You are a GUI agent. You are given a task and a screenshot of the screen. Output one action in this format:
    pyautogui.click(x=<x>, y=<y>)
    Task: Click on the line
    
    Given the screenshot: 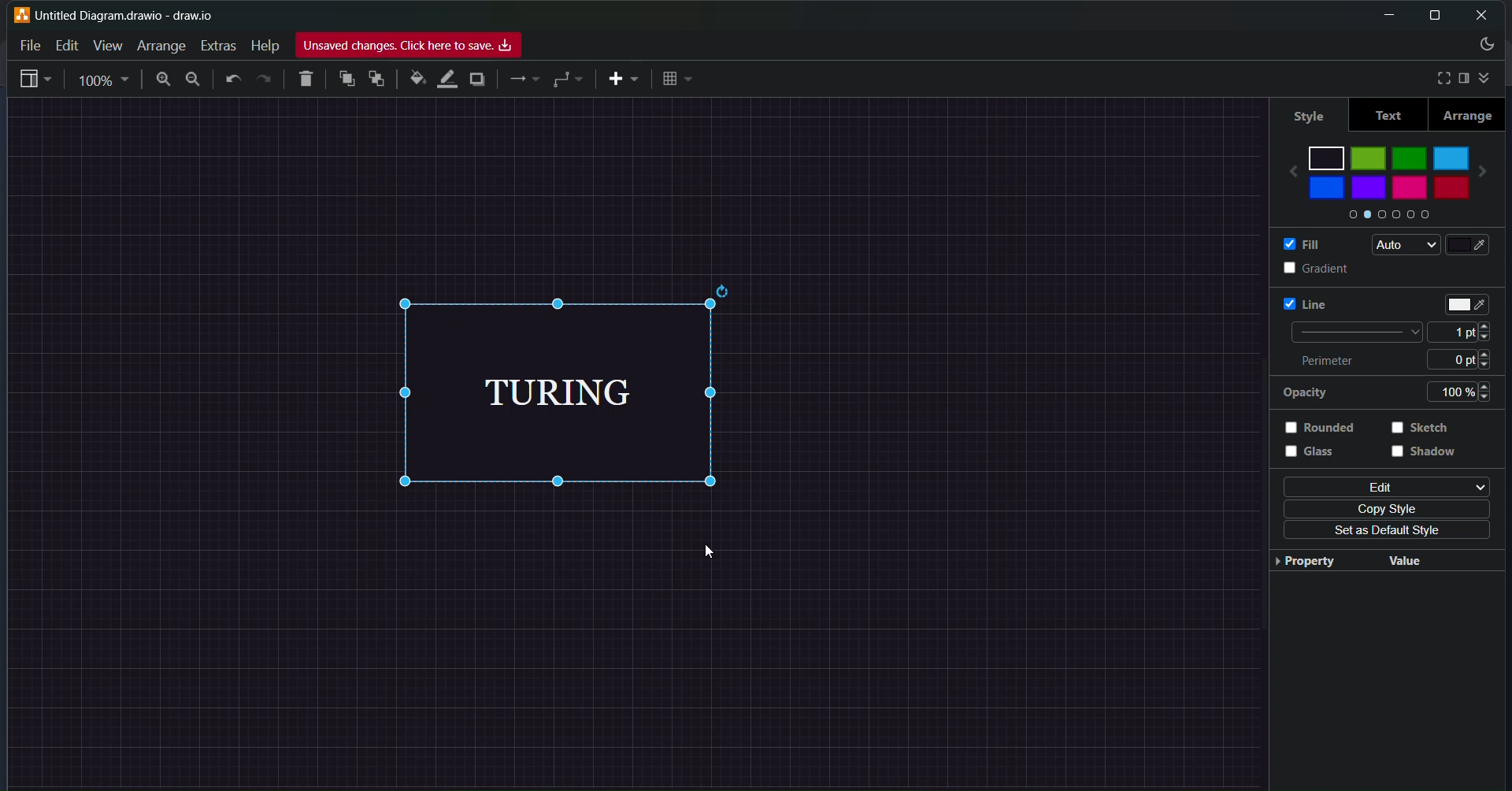 What is the action you would take?
    pyautogui.click(x=1296, y=303)
    